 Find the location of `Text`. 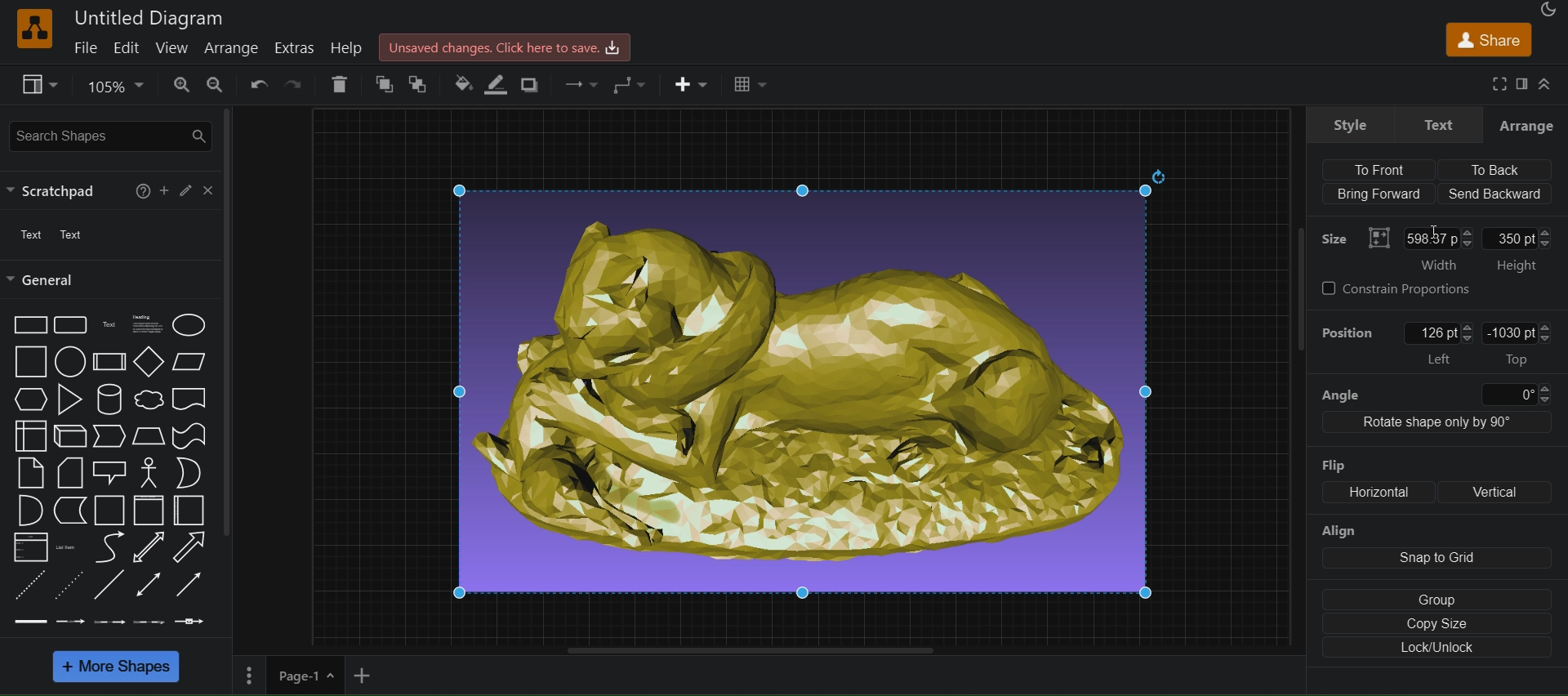

Text is located at coordinates (78, 234).